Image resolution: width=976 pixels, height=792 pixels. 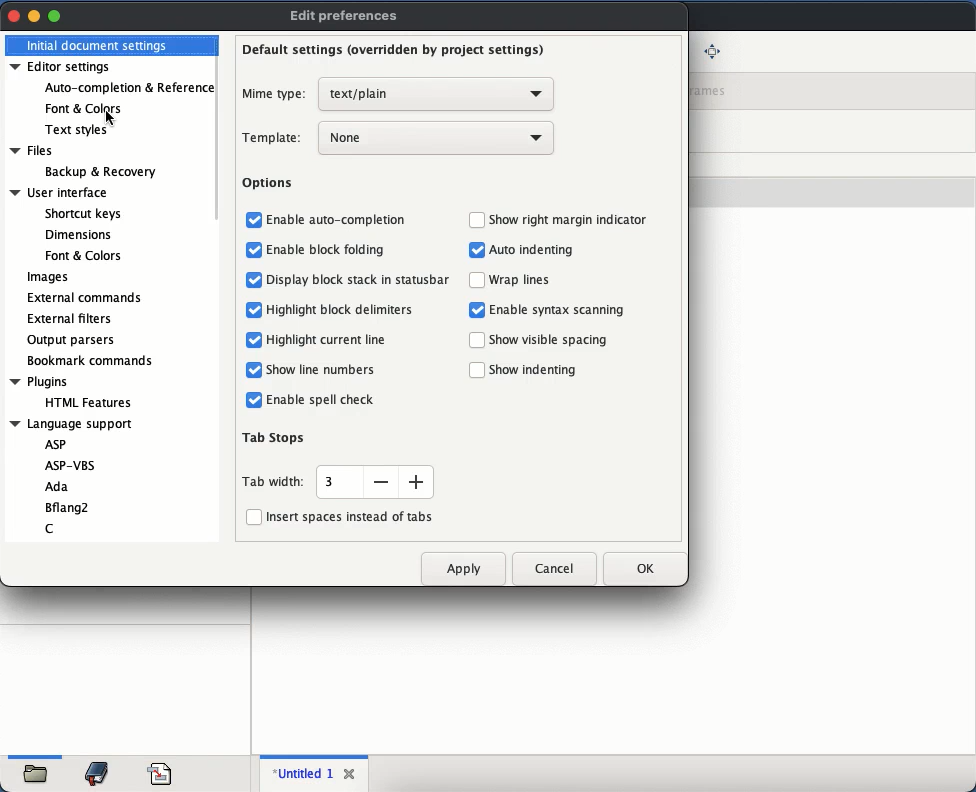 I want to click on checkbox, so click(x=475, y=310).